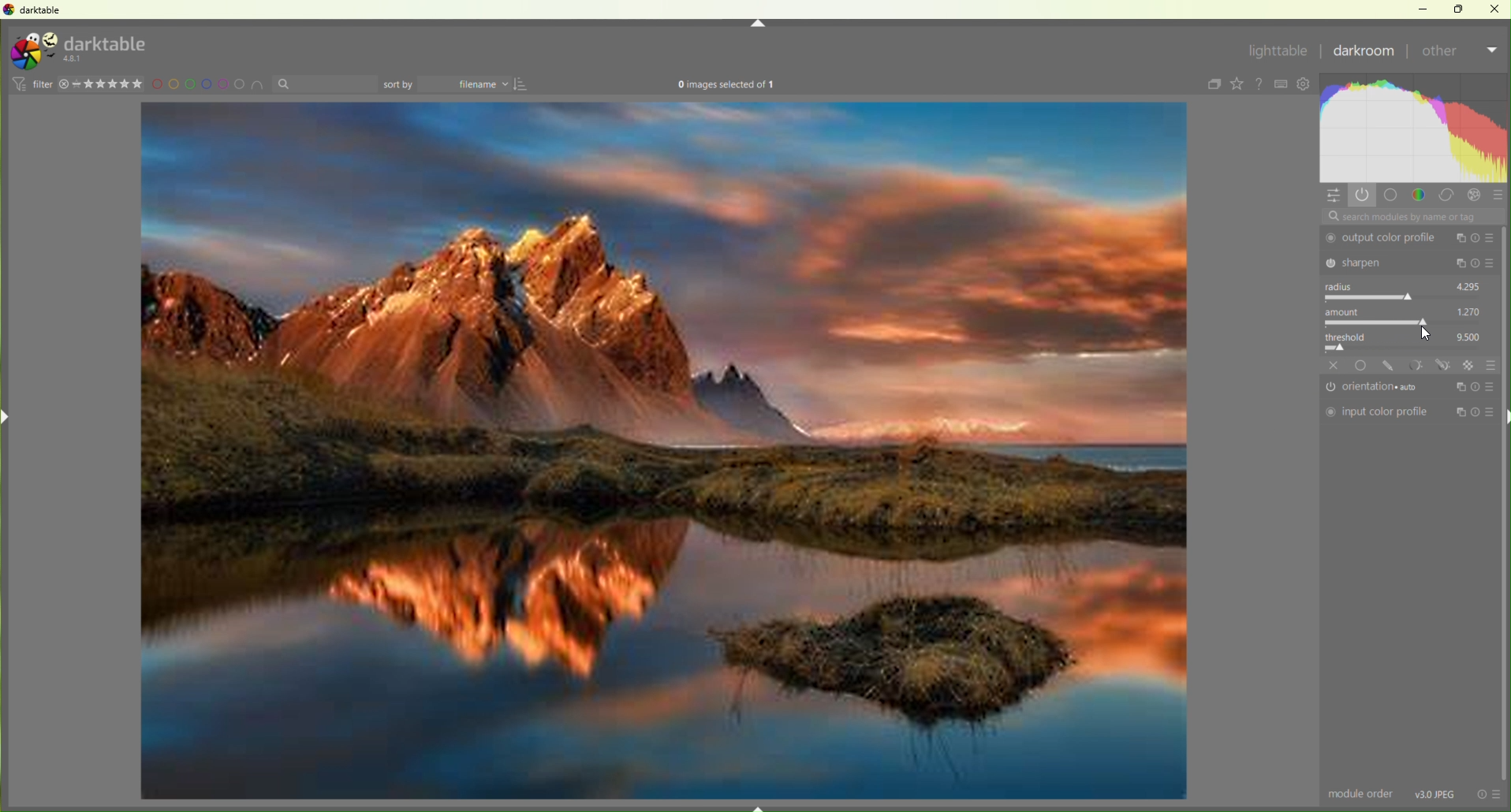 The image size is (1511, 812). What do you see at coordinates (468, 85) in the screenshot?
I see `filename` at bounding box center [468, 85].